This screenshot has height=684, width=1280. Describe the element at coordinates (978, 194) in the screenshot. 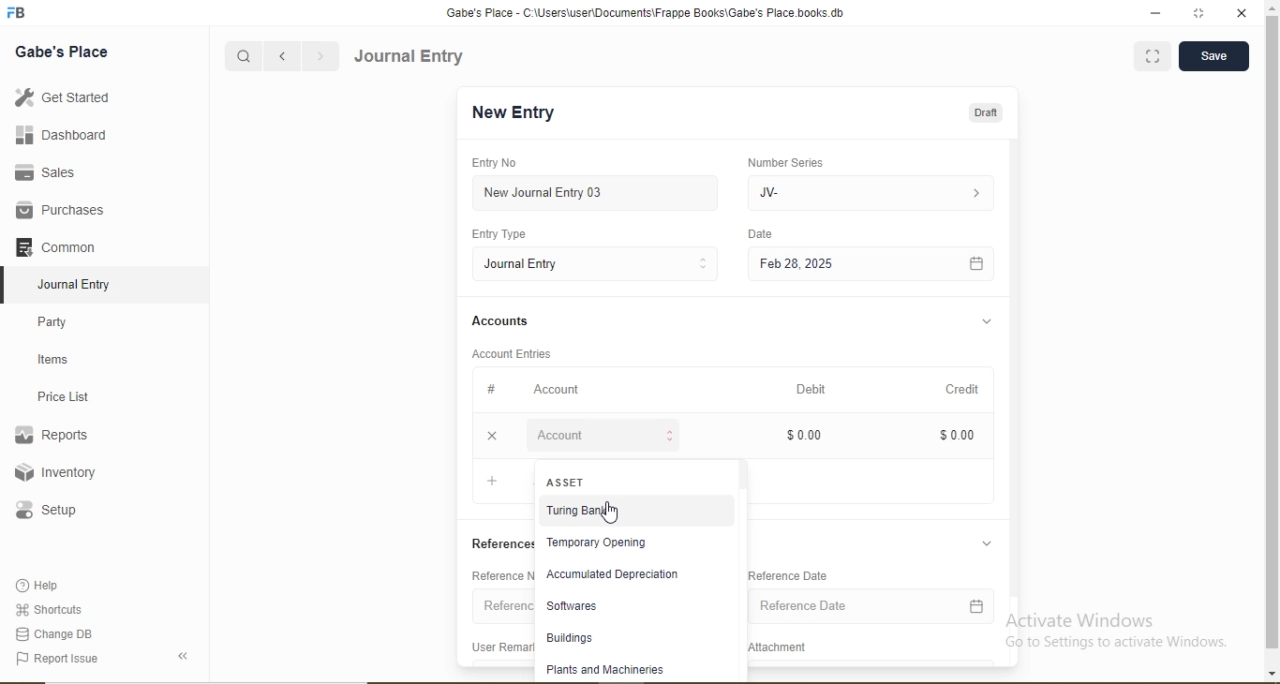

I see `Dropdown` at that location.